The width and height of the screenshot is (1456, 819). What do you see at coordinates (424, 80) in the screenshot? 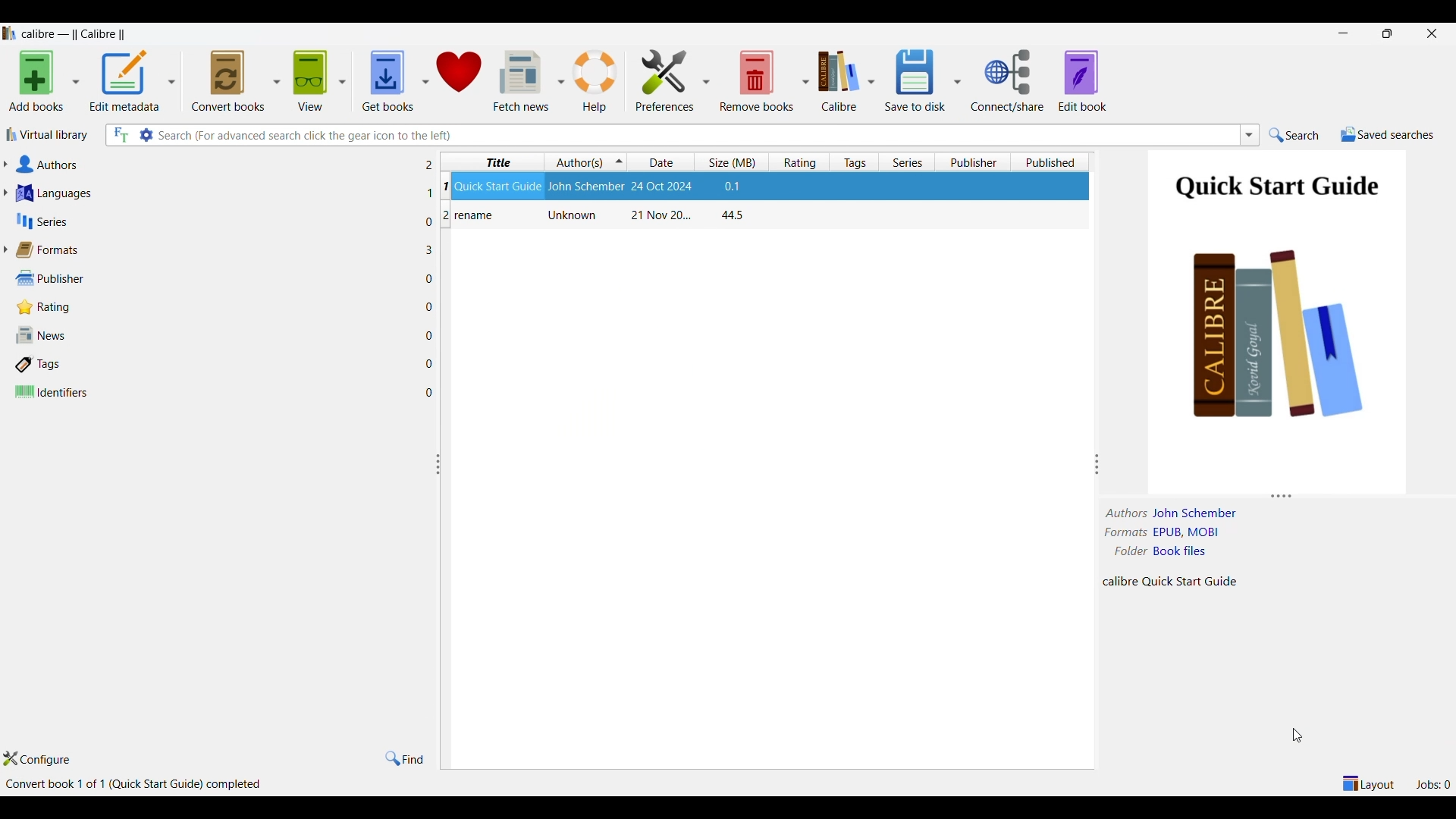
I see `Get book options` at bounding box center [424, 80].